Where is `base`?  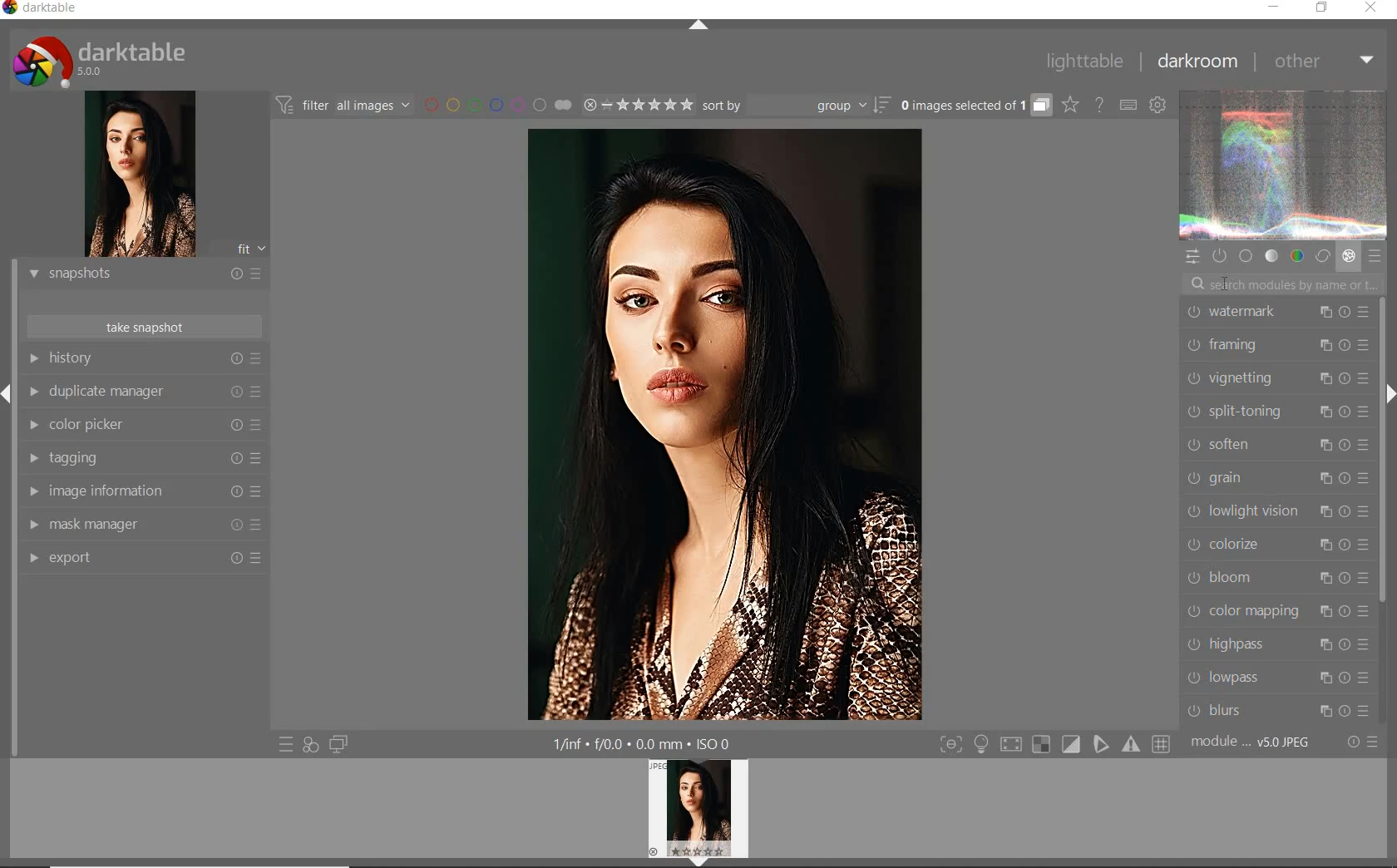
base is located at coordinates (1246, 255).